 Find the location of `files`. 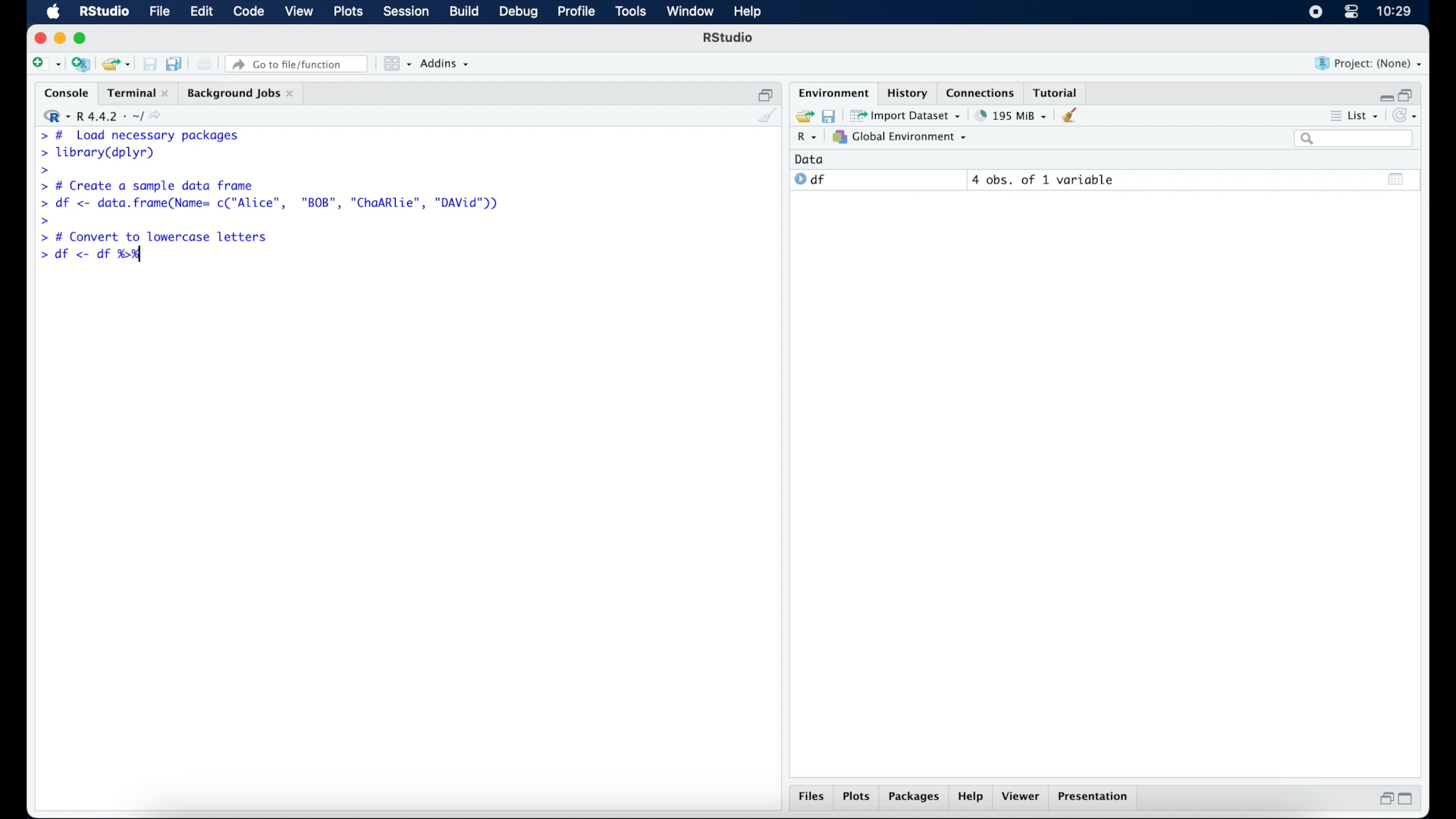

files is located at coordinates (811, 799).